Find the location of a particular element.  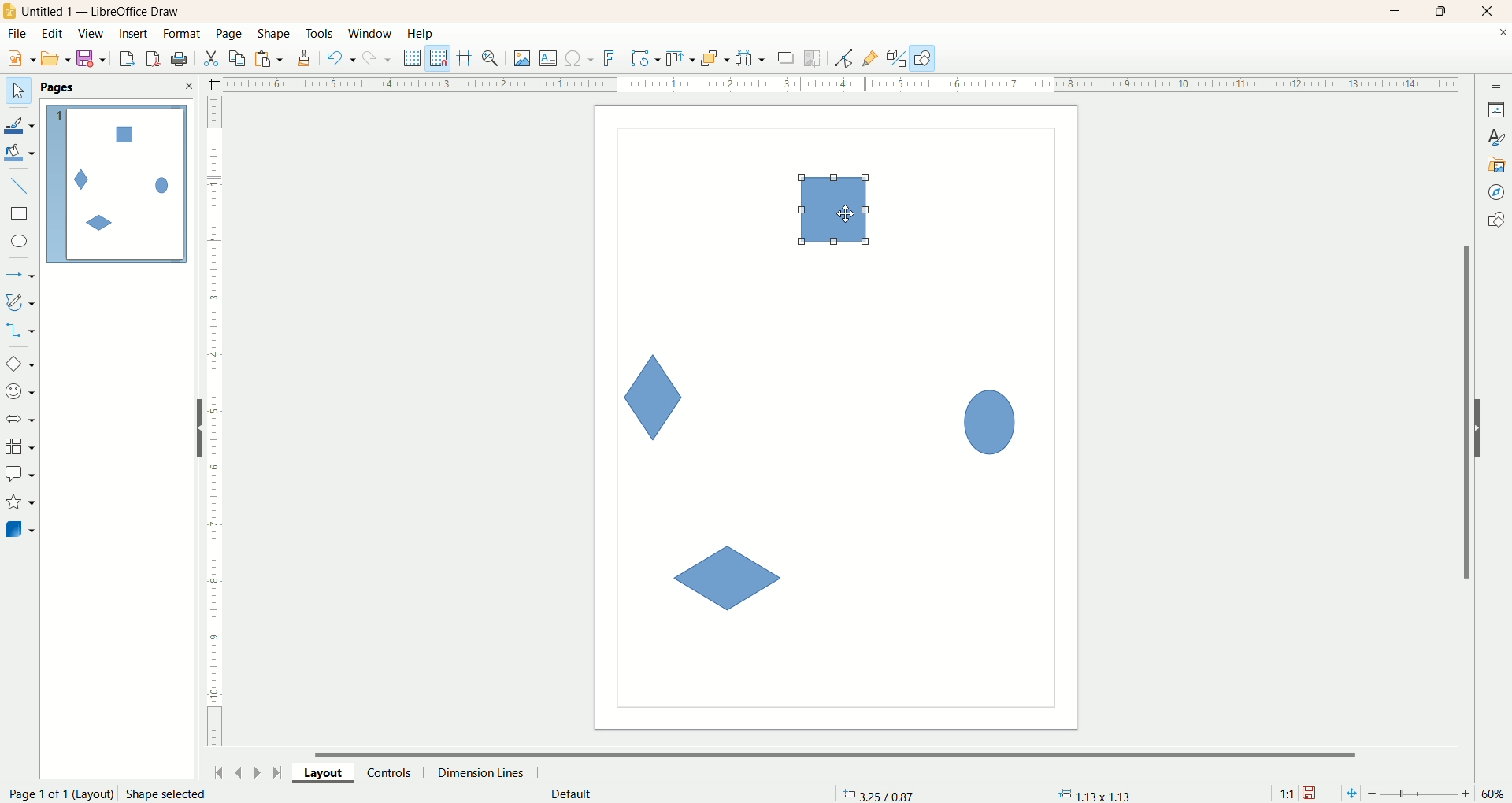

format is located at coordinates (183, 35).